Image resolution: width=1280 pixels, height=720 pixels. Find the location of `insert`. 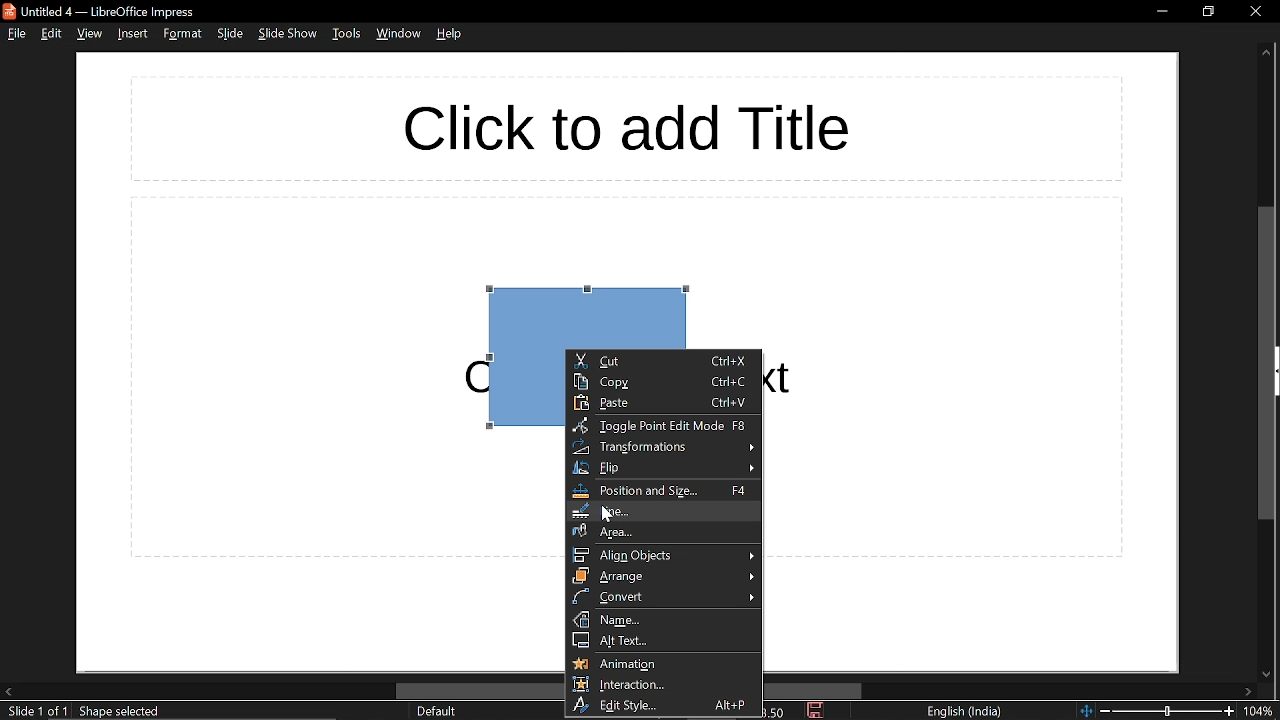

insert is located at coordinates (131, 34).